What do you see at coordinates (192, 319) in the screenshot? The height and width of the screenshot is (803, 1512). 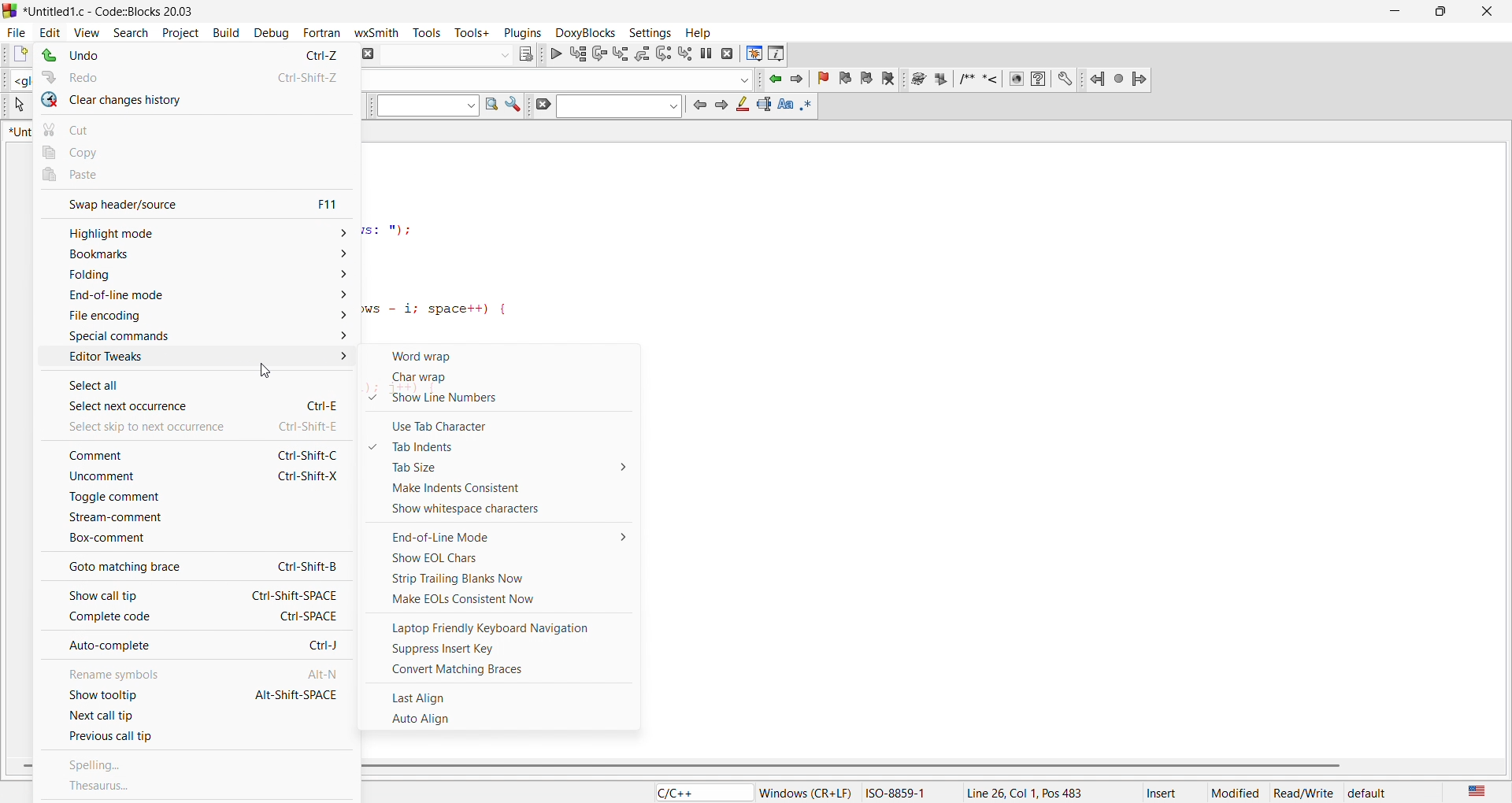 I see `file encoding ` at bounding box center [192, 319].